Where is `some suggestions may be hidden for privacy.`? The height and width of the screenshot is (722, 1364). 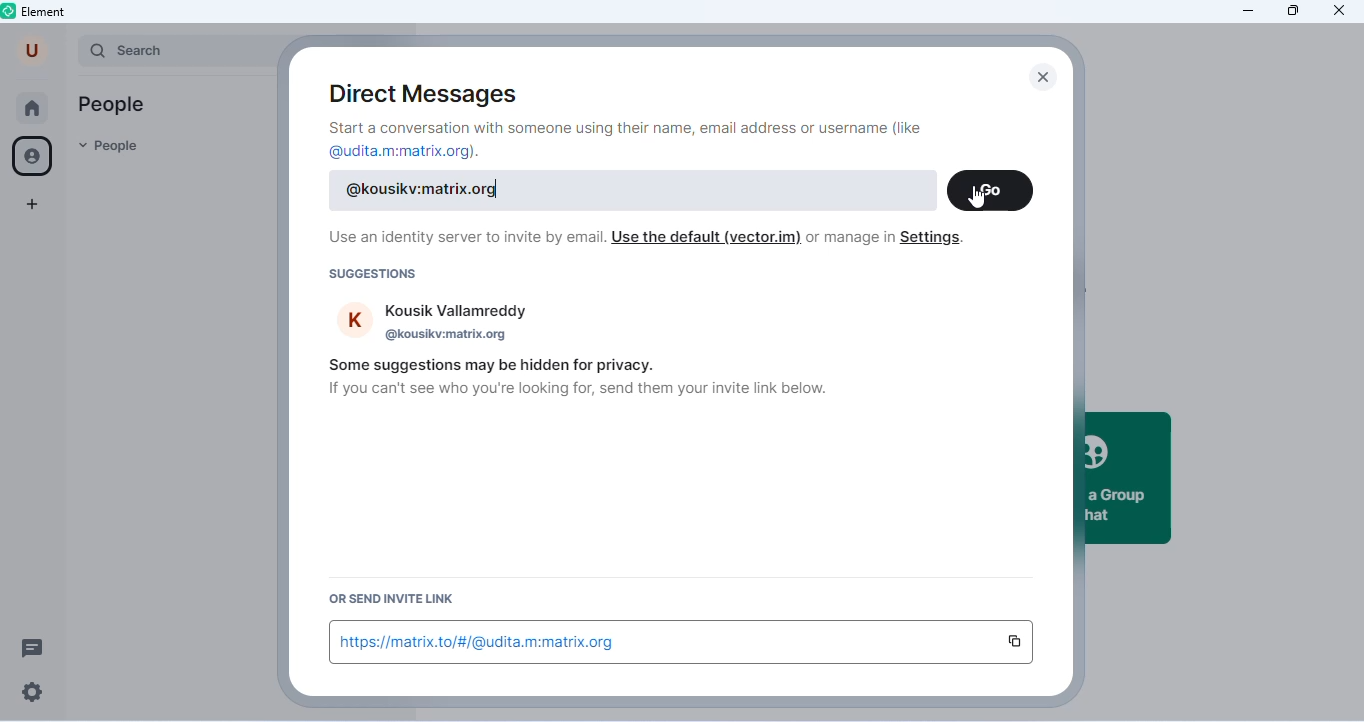 some suggestions may be hidden for privacy. is located at coordinates (491, 365).